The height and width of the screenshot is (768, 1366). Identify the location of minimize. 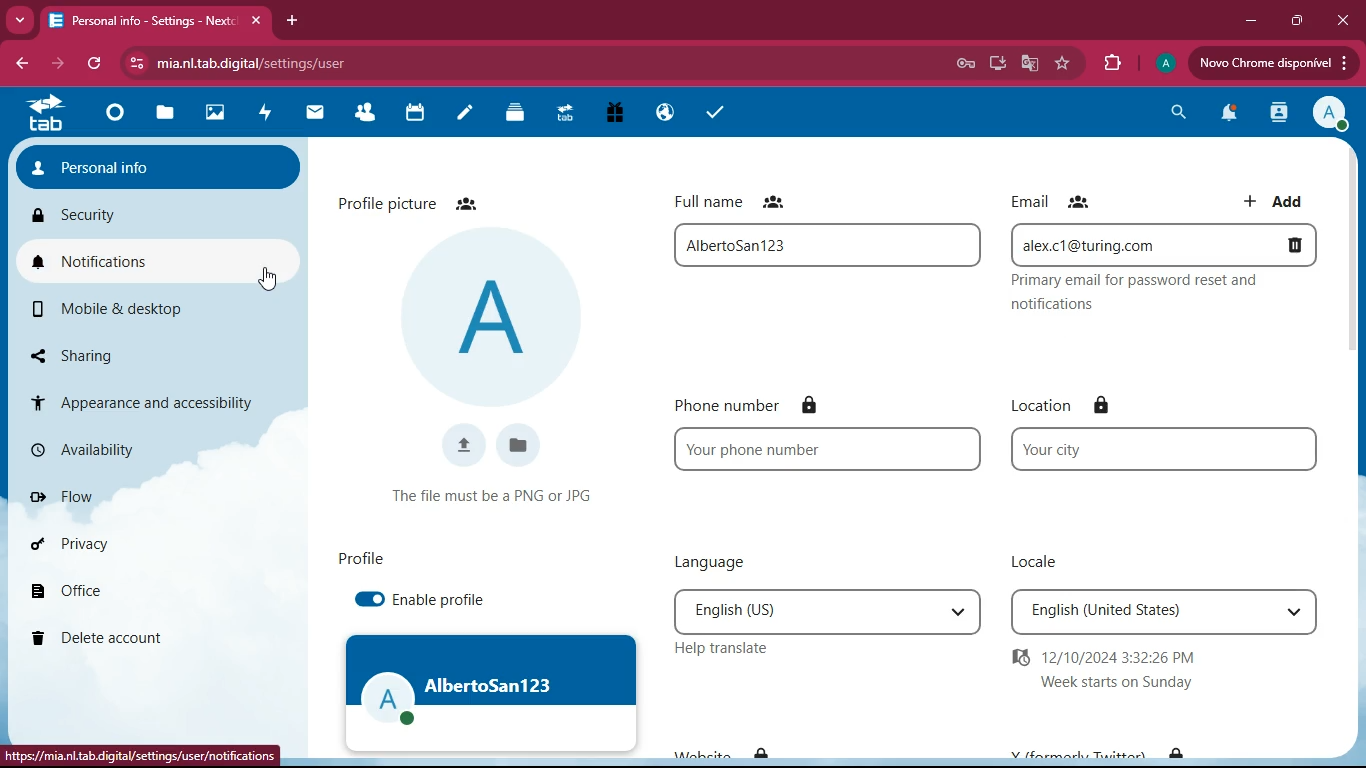
(1247, 19).